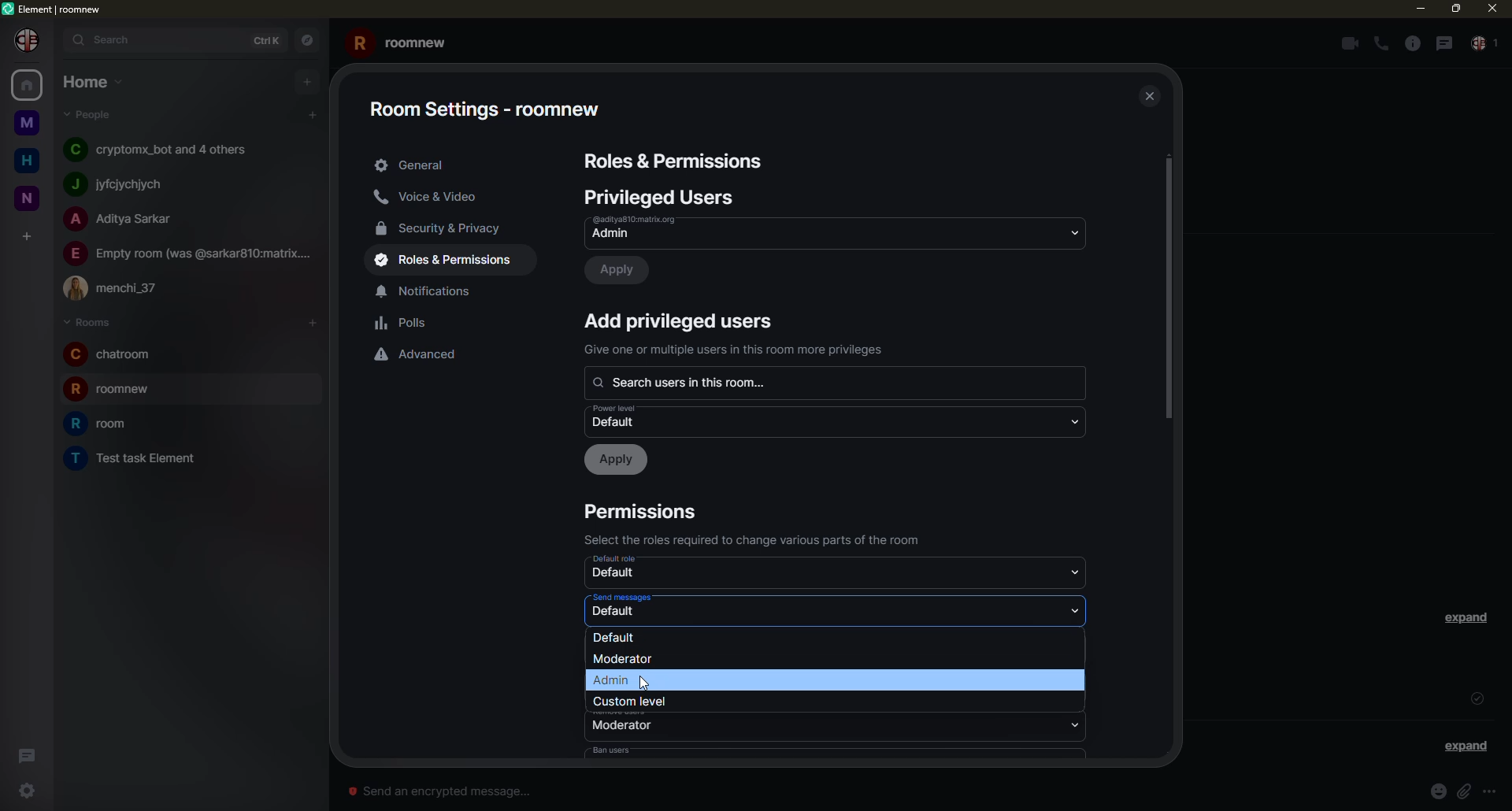  I want to click on sent, so click(1477, 698).